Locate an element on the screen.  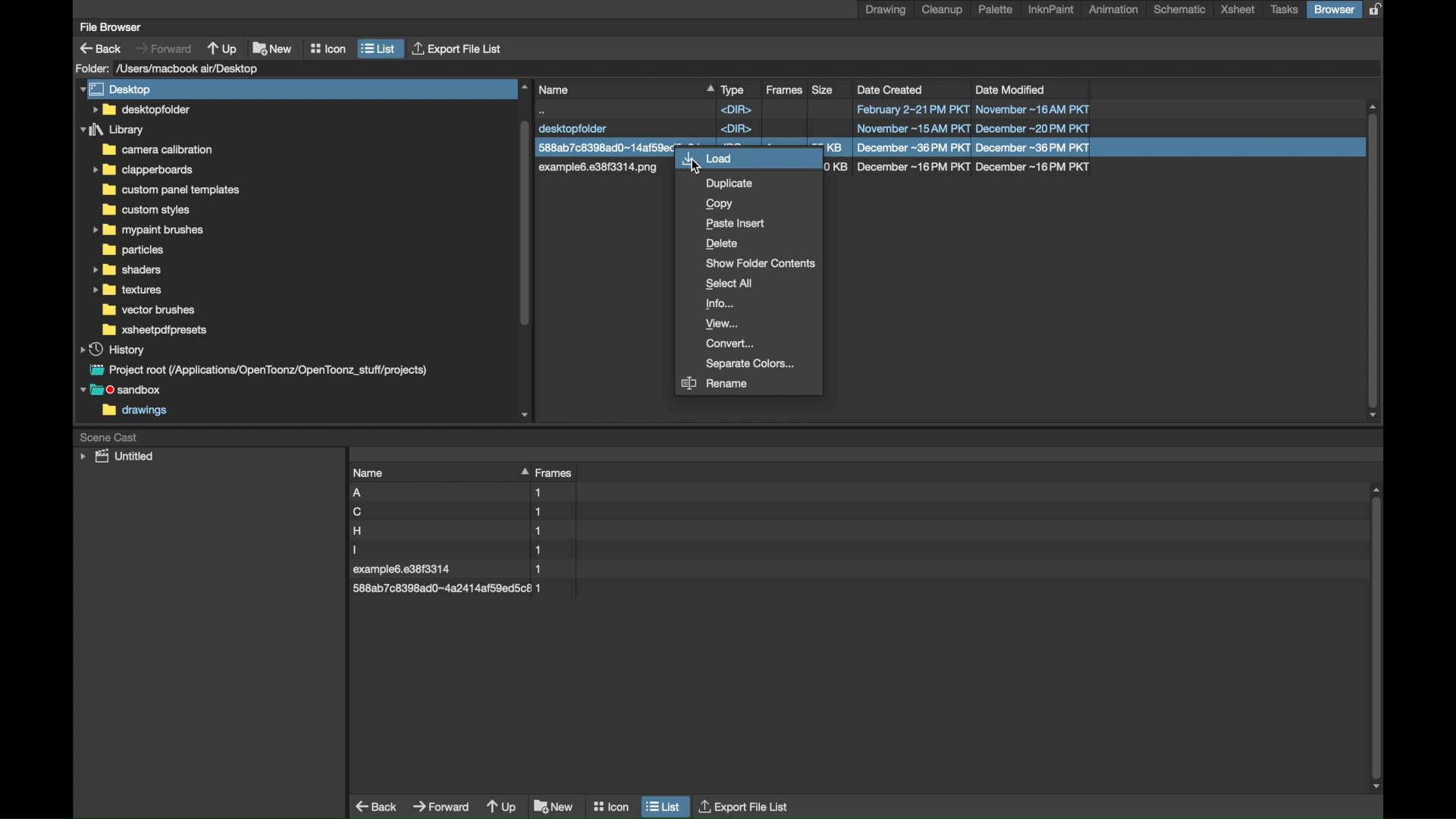
up is located at coordinates (502, 808).